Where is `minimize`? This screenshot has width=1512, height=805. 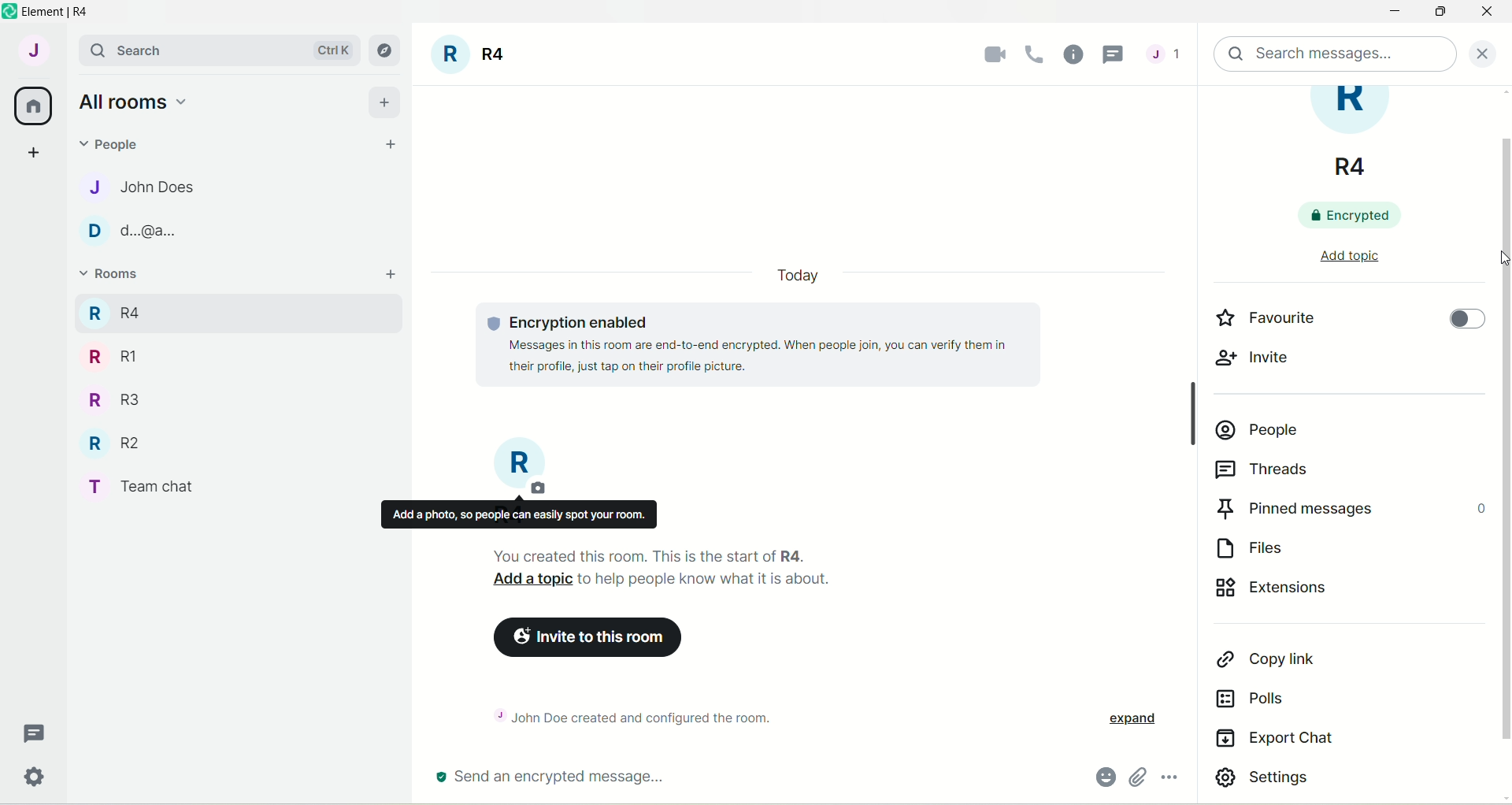 minimize is located at coordinates (1392, 13).